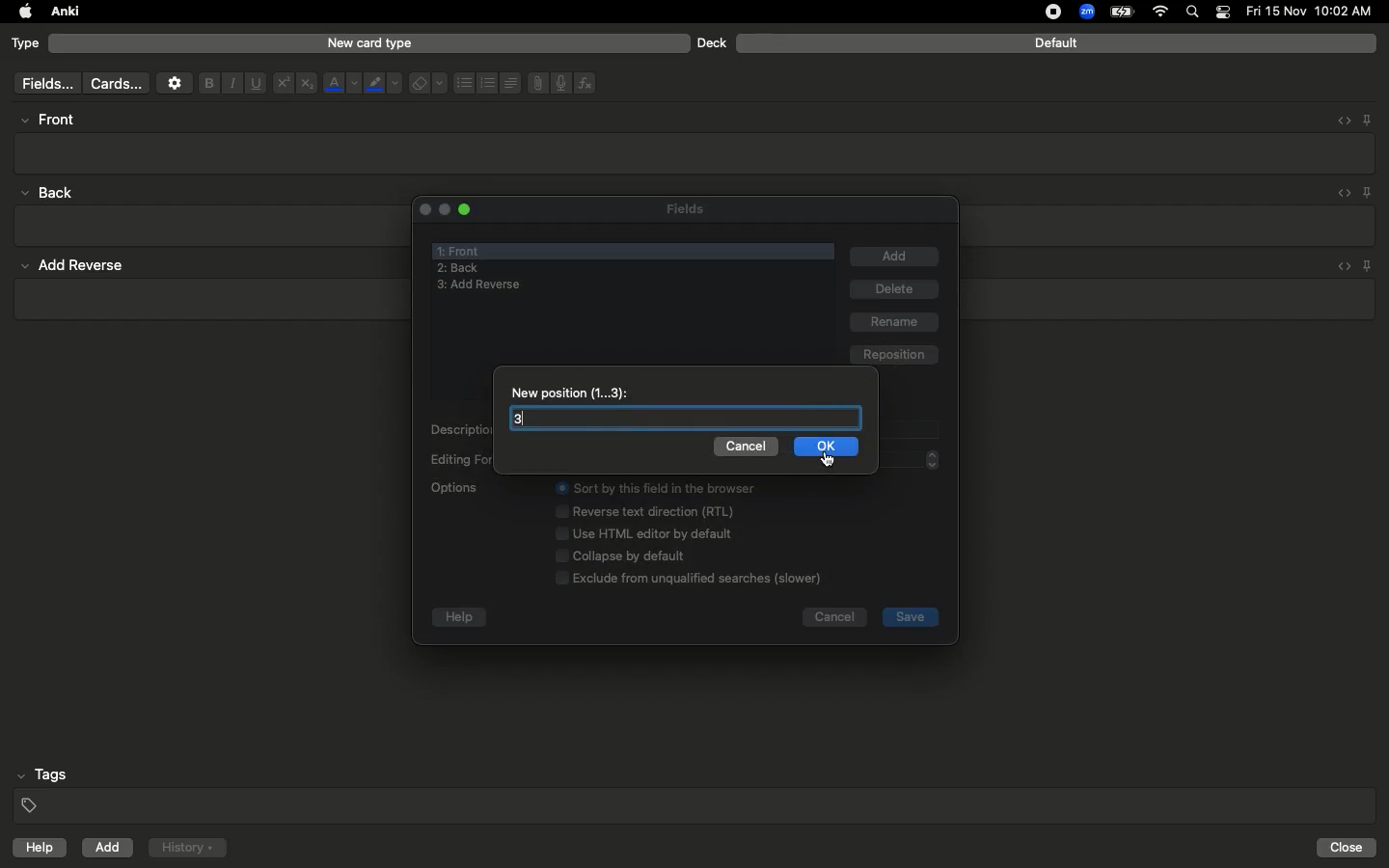 This screenshot has width=1389, height=868. Describe the element at coordinates (52, 192) in the screenshot. I see `back` at that location.